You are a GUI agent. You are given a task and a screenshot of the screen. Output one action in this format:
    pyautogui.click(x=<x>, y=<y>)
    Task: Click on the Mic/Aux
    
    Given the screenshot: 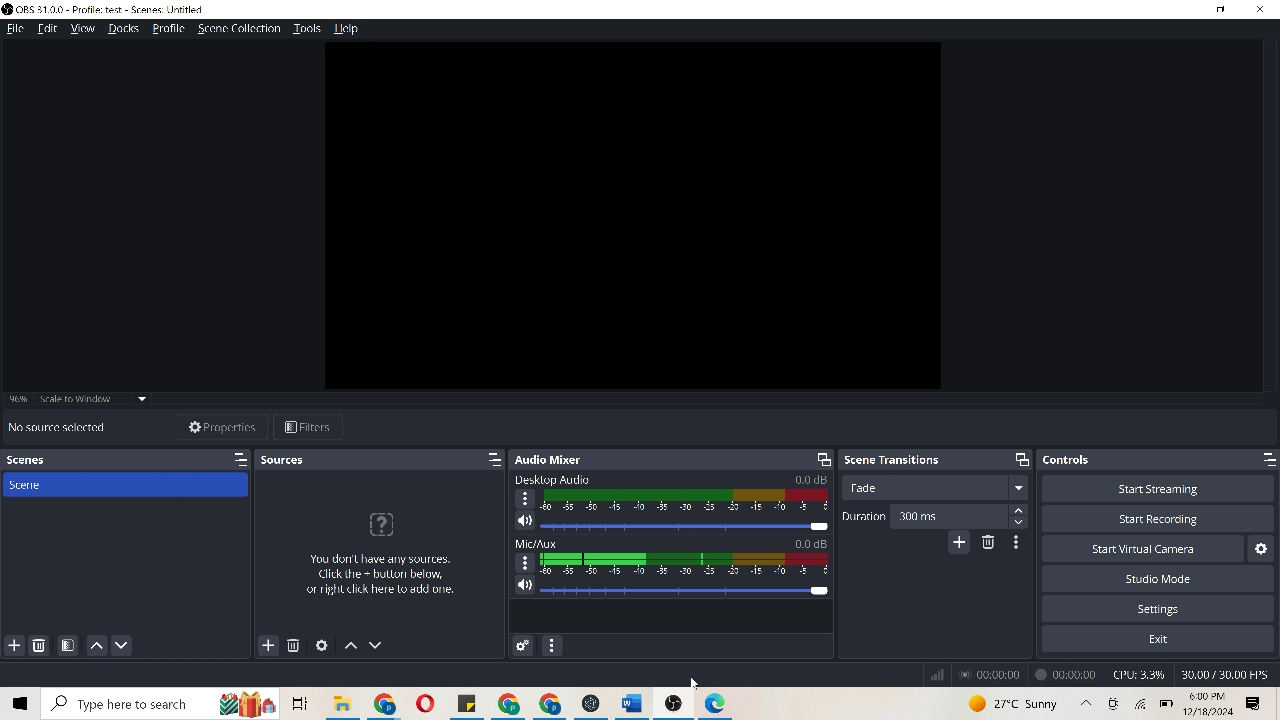 What is the action you would take?
    pyautogui.click(x=536, y=543)
    